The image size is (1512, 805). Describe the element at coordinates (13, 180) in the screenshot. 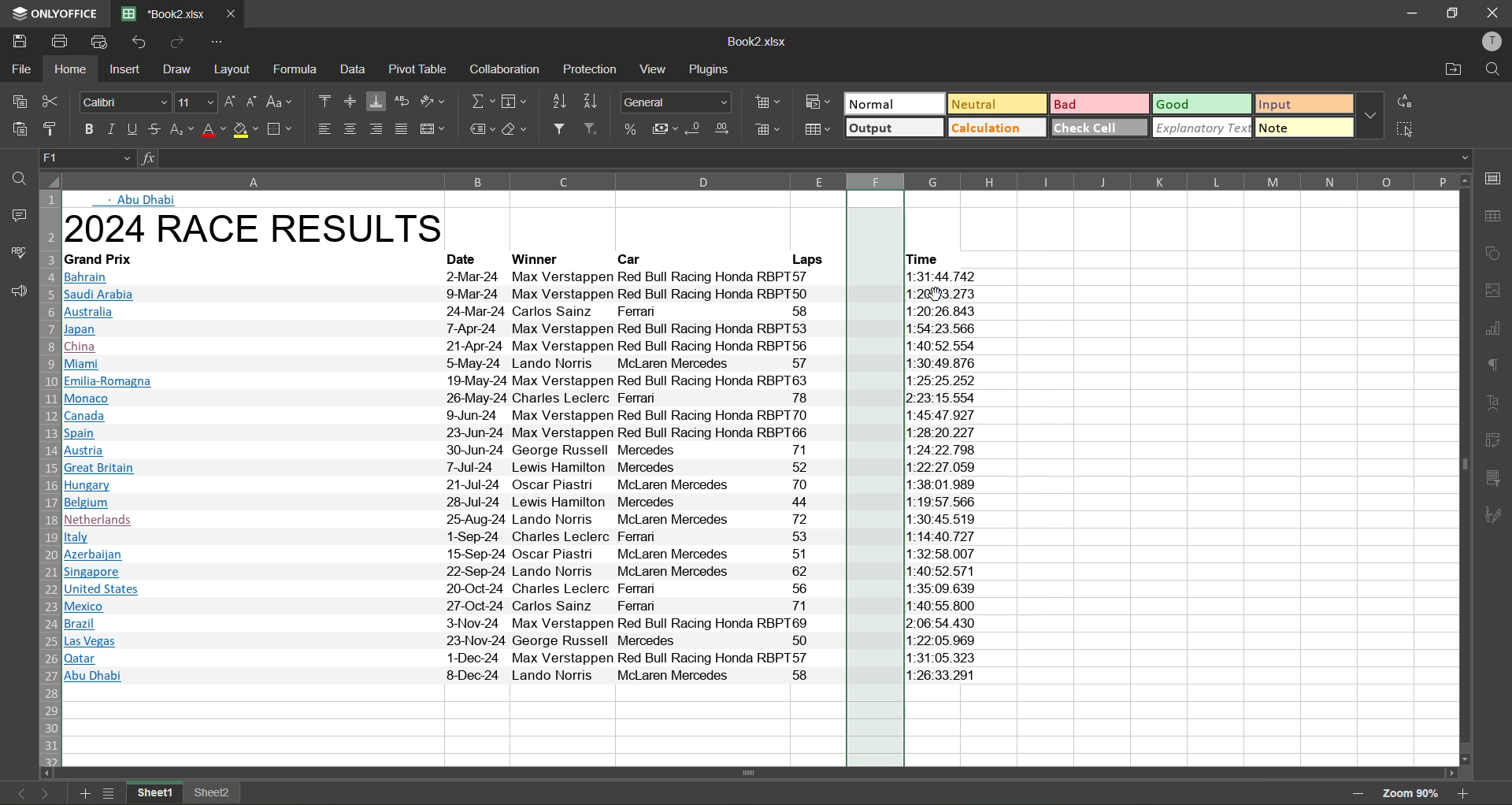

I see `find` at that location.